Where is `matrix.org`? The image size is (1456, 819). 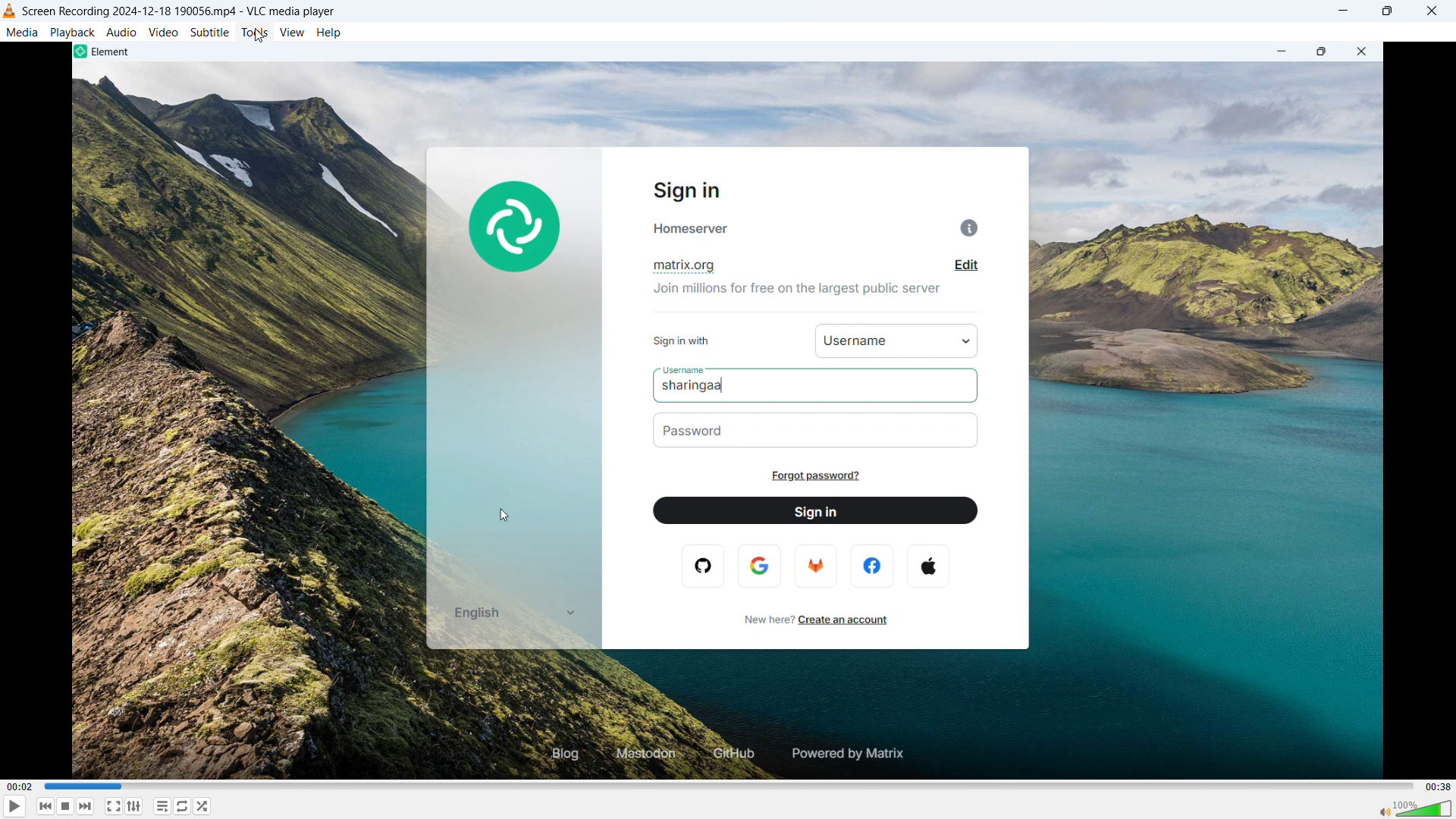
matrix.org is located at coordinates (688, 266).